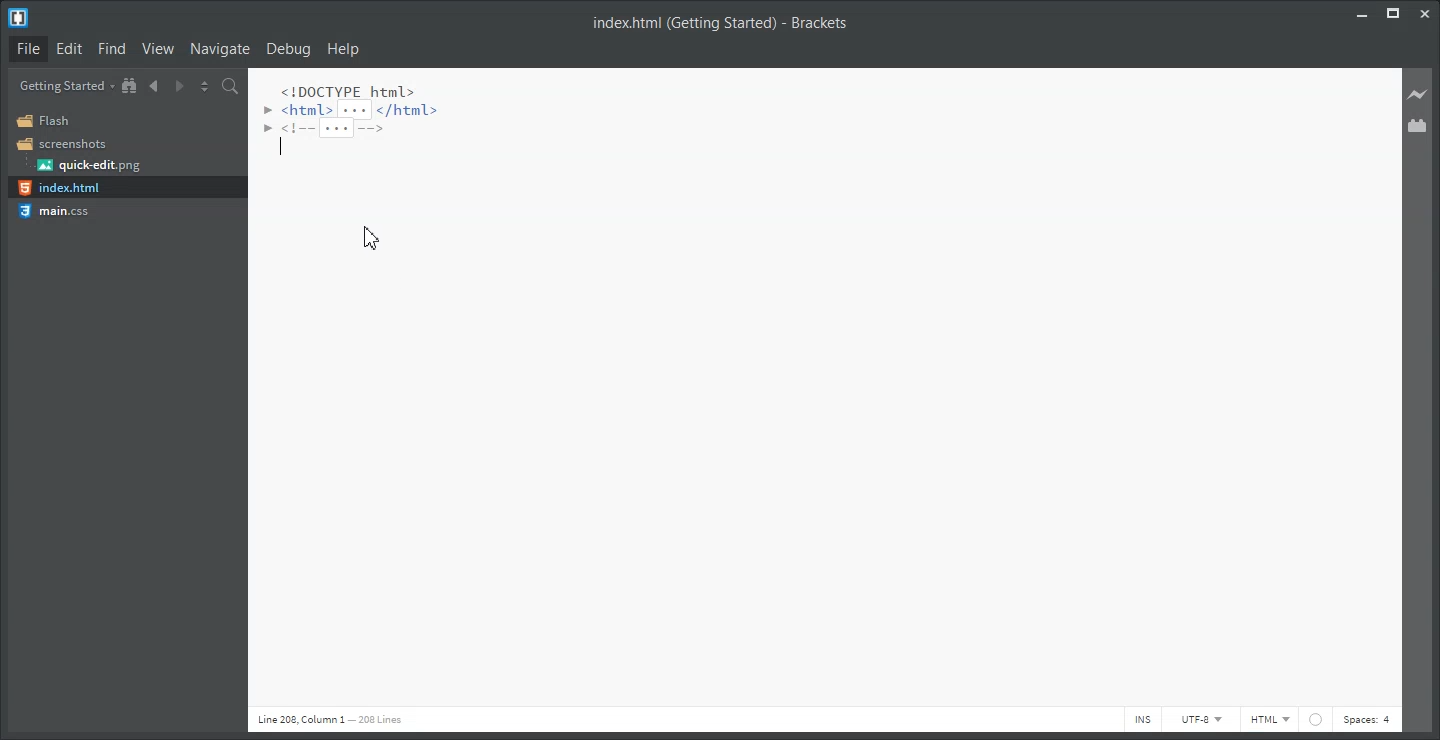 Image resolution: width=1440 pixels, height=740 pixels. What do you see at coordinates (66, 86) in the screenshot?
I see `Getting Started` at bounding box center [66, 86].